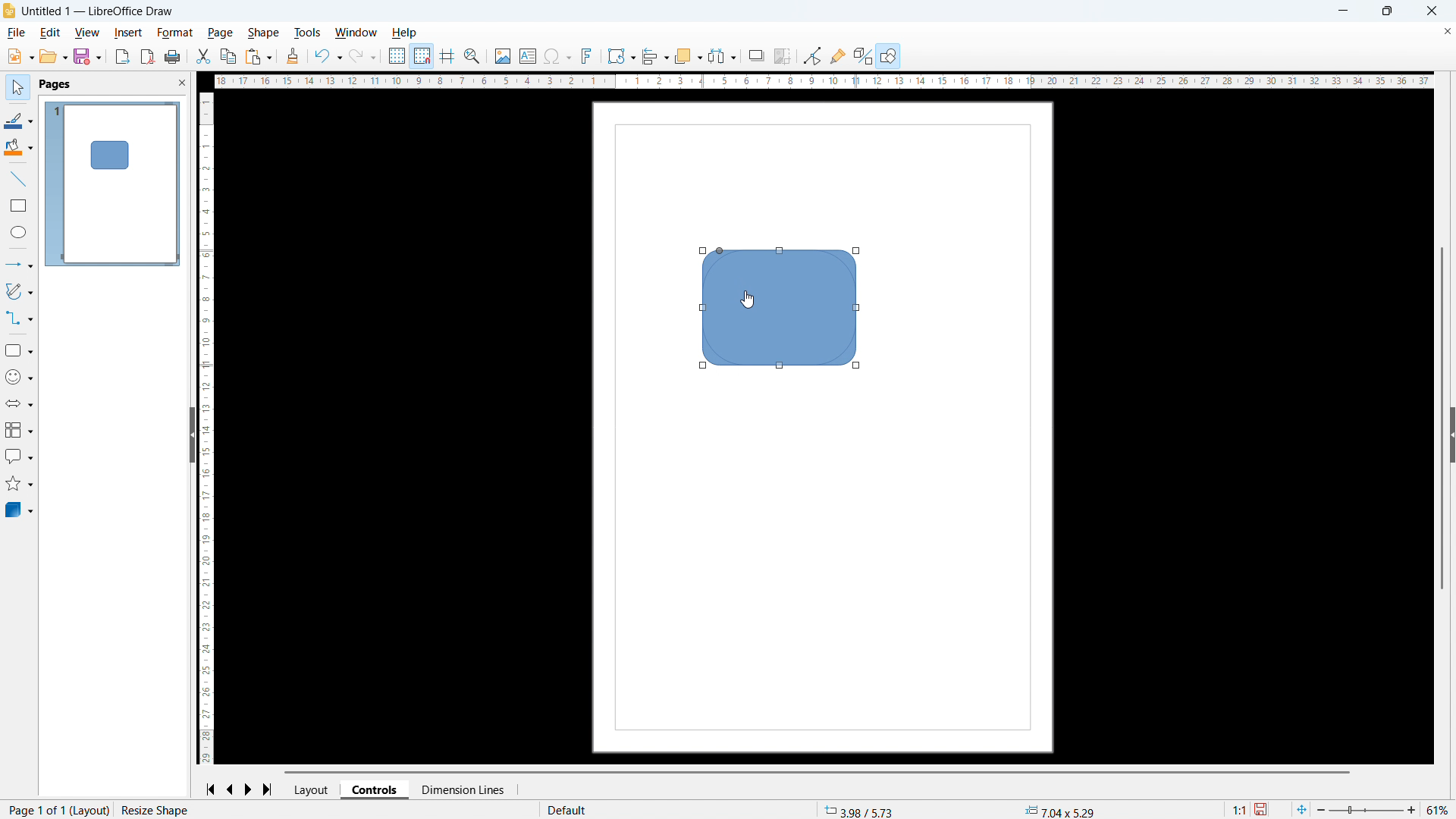  Describe the element at coordinates (16, 88) in the screenshot. I see `select ` at that location.